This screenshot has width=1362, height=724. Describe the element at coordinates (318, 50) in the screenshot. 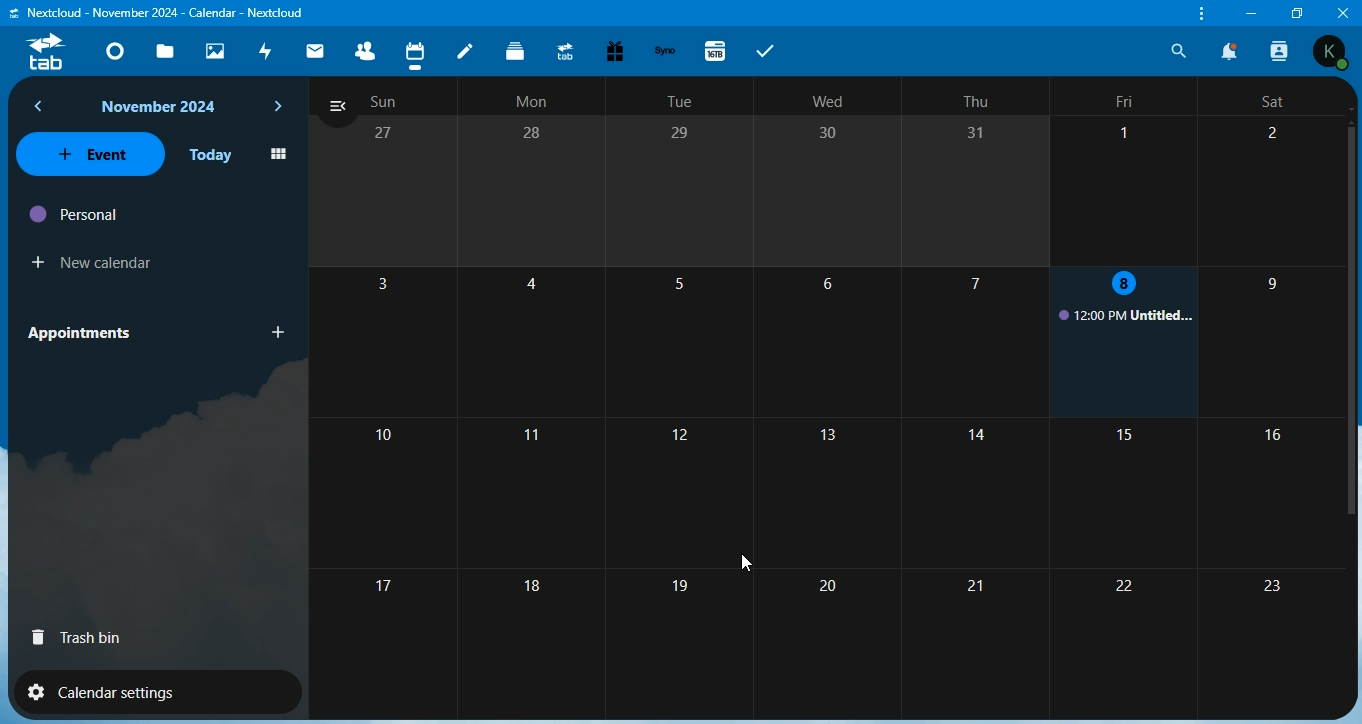

I see `mail` at that location.